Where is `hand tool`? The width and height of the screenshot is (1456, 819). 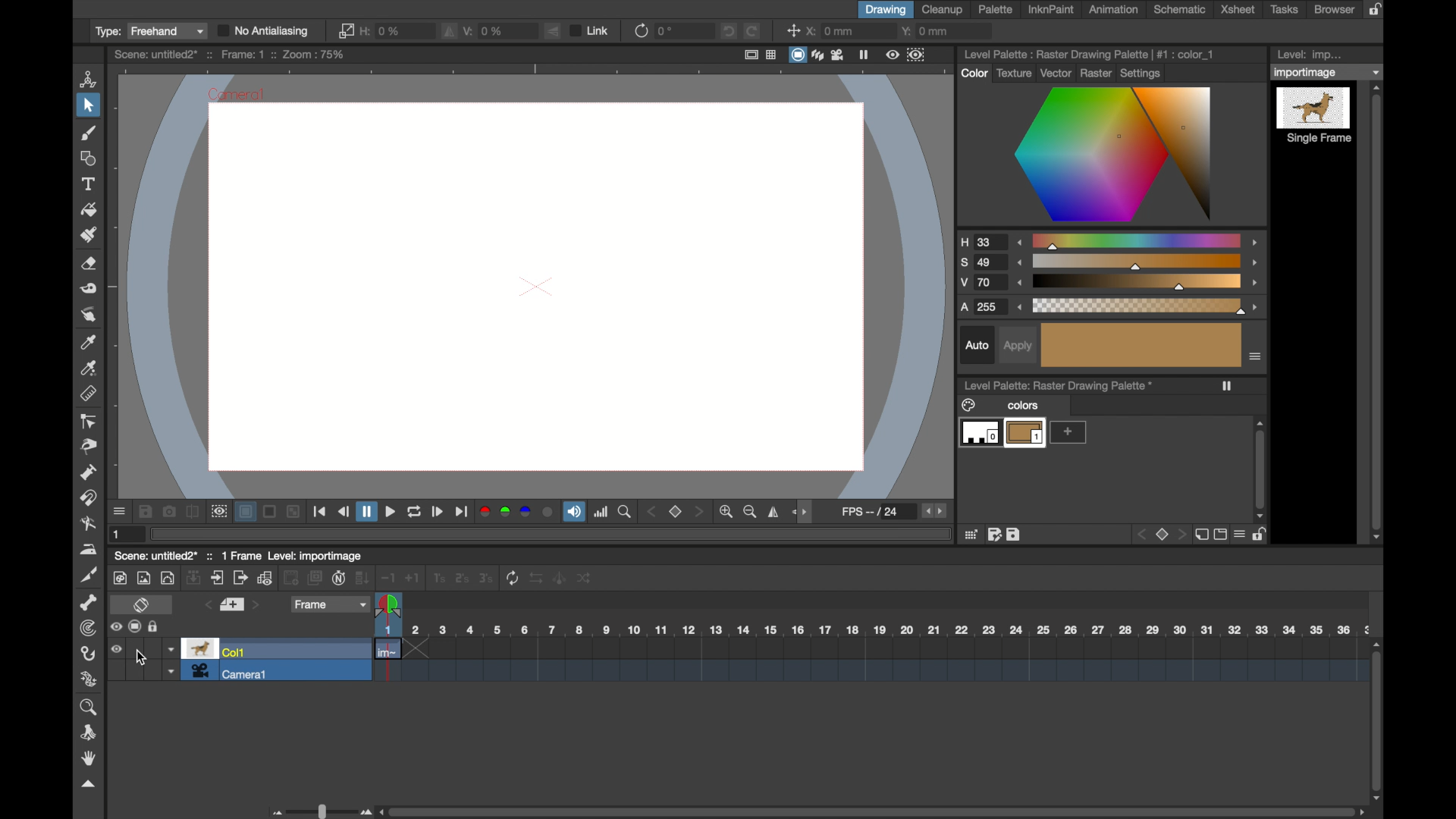 hand tool is located at coordinates (87, 758).